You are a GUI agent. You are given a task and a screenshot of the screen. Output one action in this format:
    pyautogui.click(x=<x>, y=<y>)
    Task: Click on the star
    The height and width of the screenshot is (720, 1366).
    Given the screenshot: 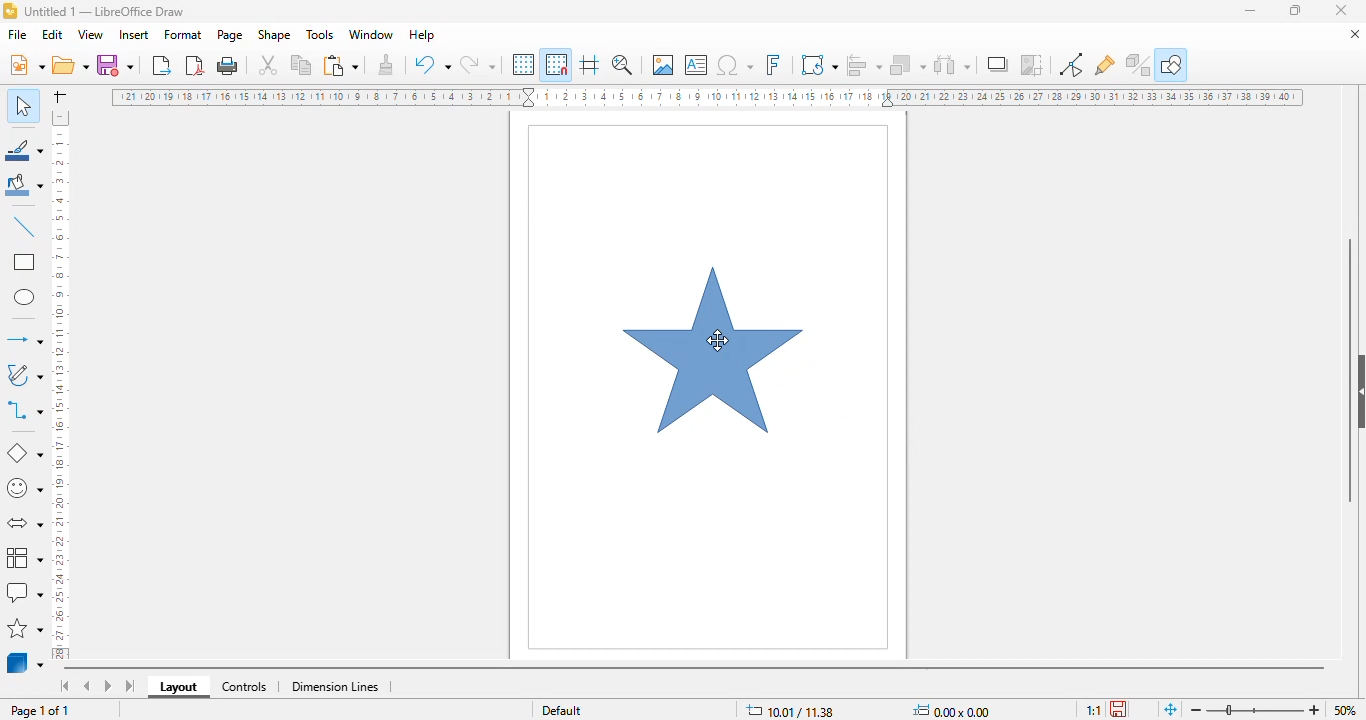 What is the action you would take?
    pyautogui.click(x=714, y=350)
    